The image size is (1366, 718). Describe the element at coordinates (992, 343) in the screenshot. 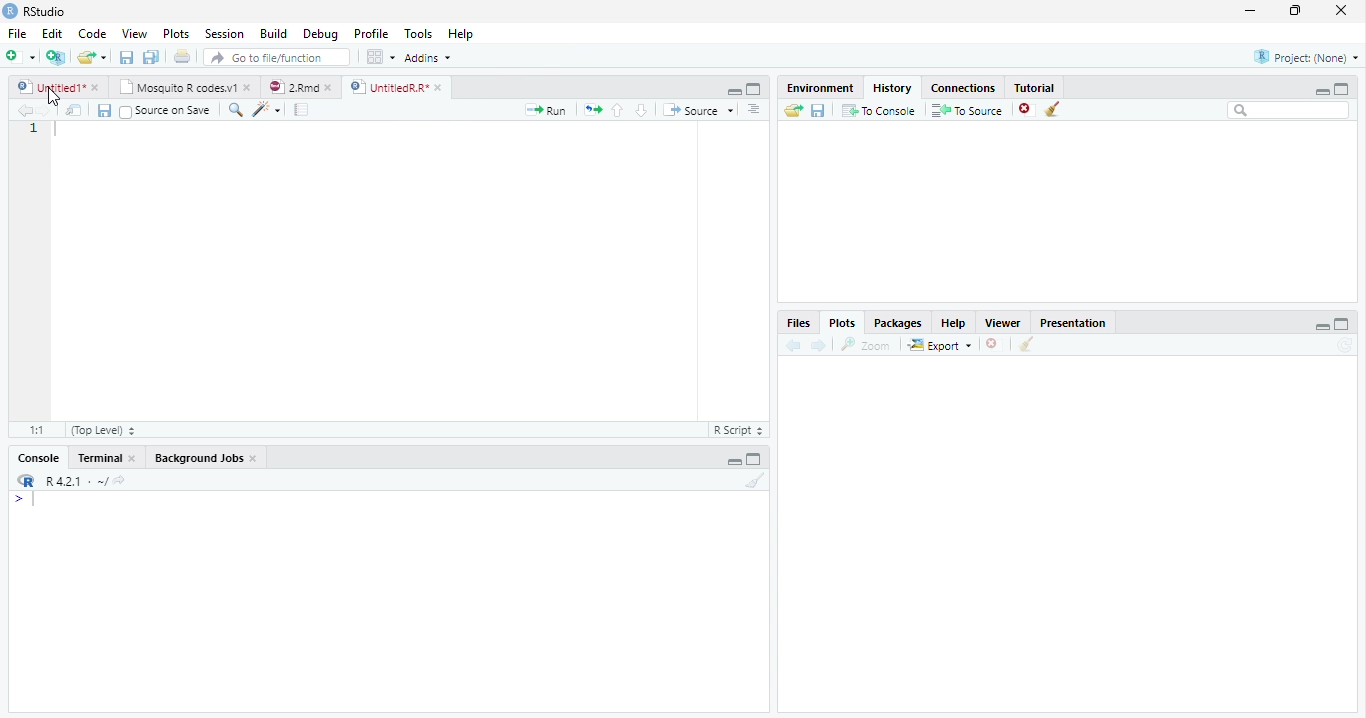

I see `Delete` at that location.